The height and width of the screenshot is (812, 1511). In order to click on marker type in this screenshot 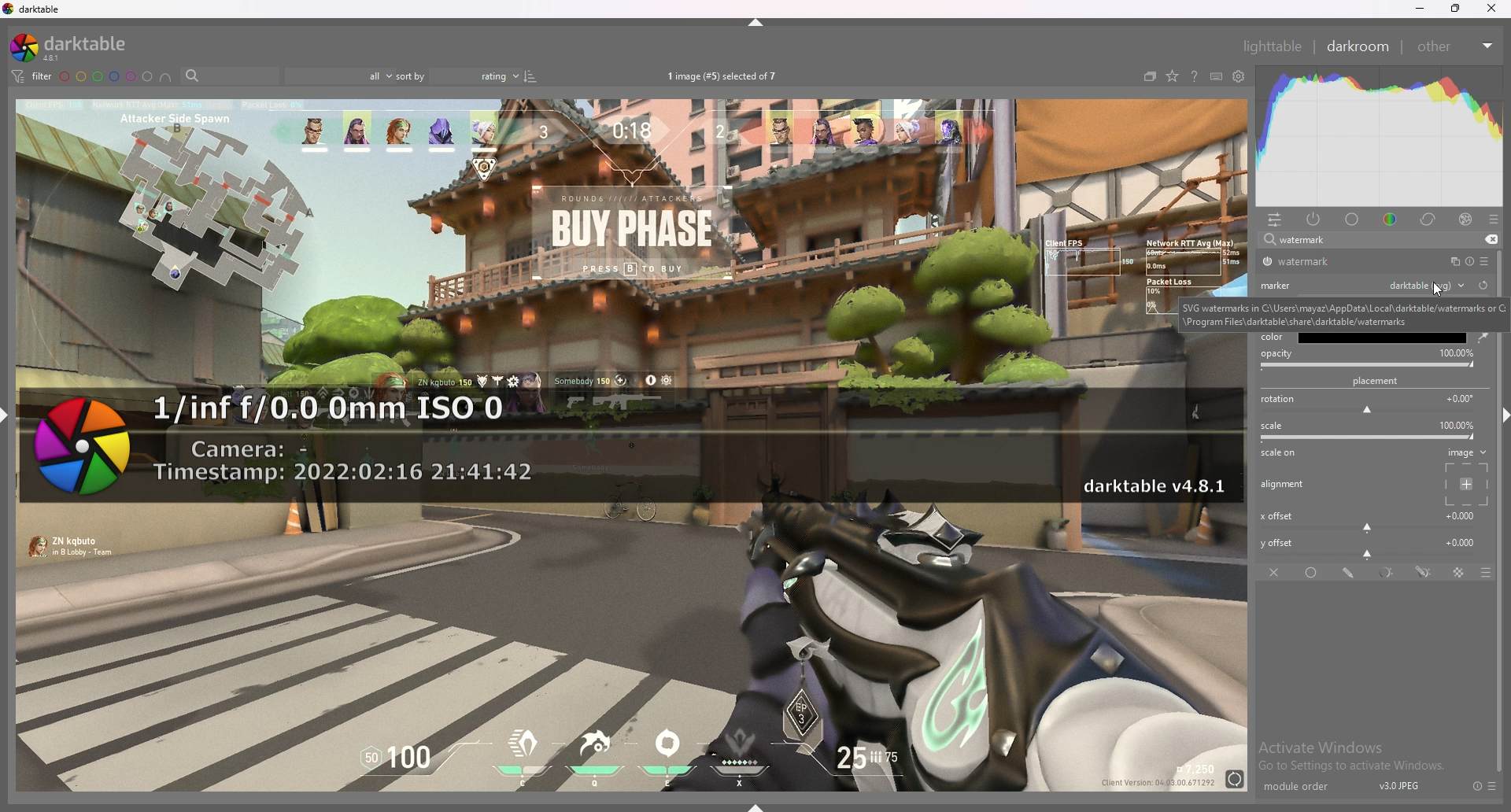, I will do `click(1426, 284)`.